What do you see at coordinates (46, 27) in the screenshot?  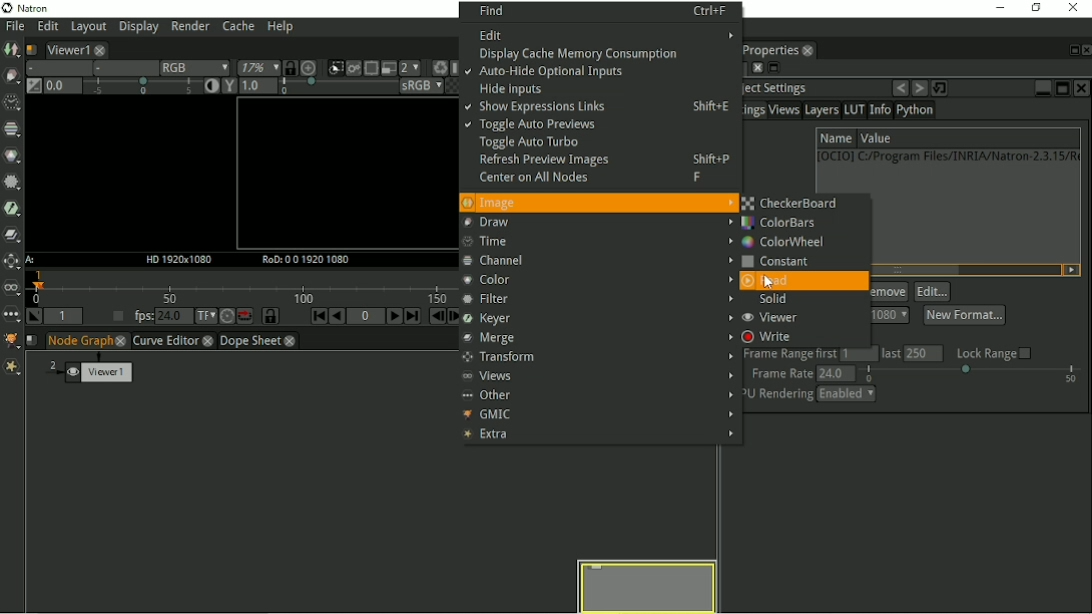 I see `Edit` at bounding box center [46, 27].